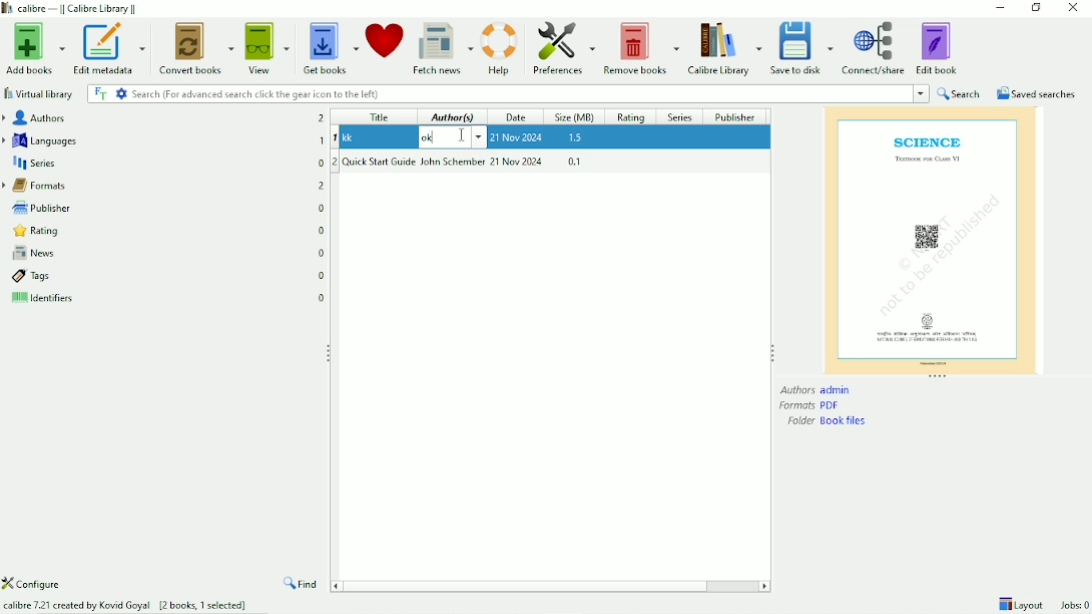 This screenshot has height=614, width=1092. Describe the element at coordinates (267, 49) in the screenshot. I see `View` at that location.